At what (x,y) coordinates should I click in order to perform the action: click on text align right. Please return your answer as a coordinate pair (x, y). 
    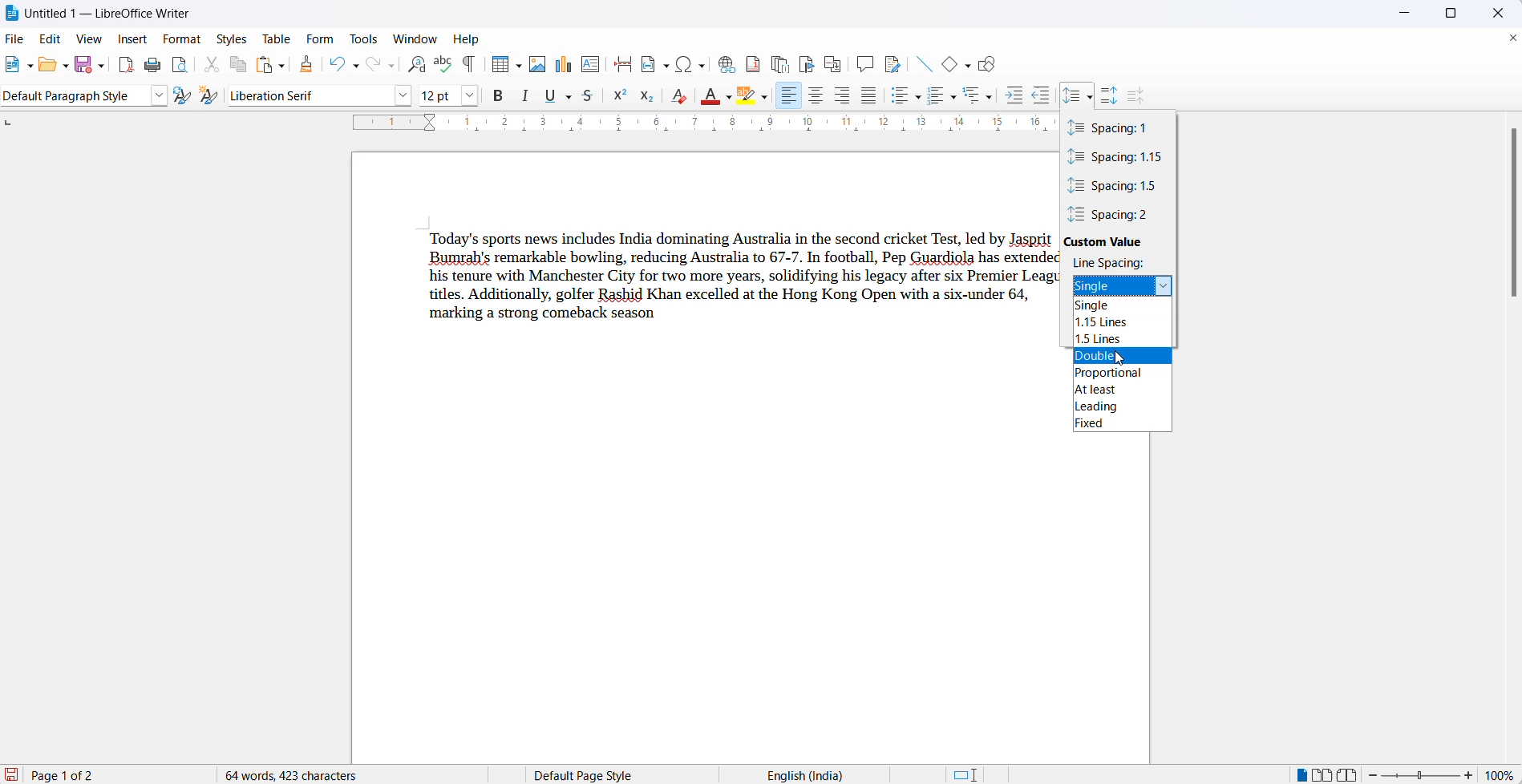
    Looking at the image, I should click on (843, 96).